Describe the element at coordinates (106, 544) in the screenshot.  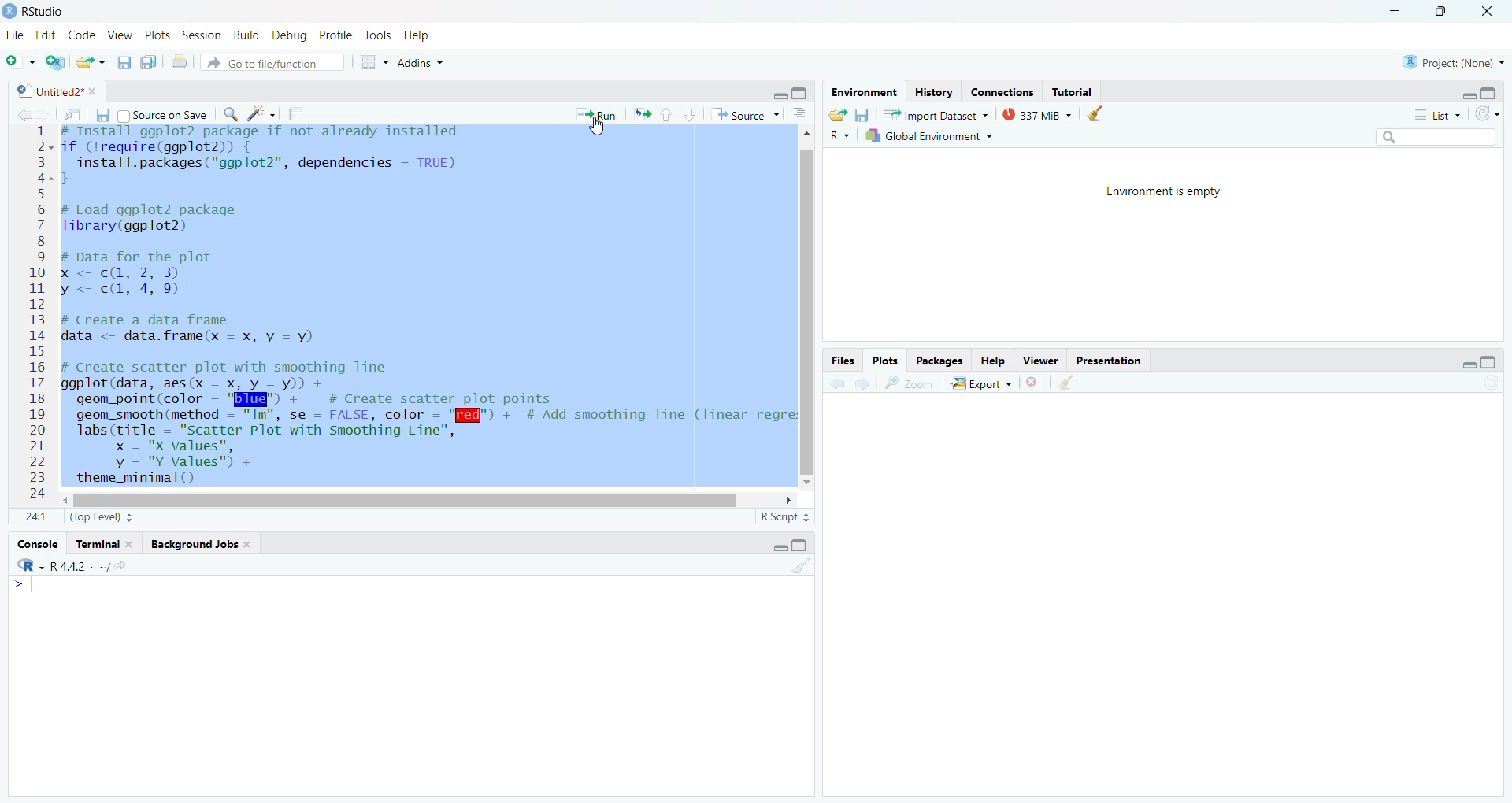
I see `Terminal` at that location.